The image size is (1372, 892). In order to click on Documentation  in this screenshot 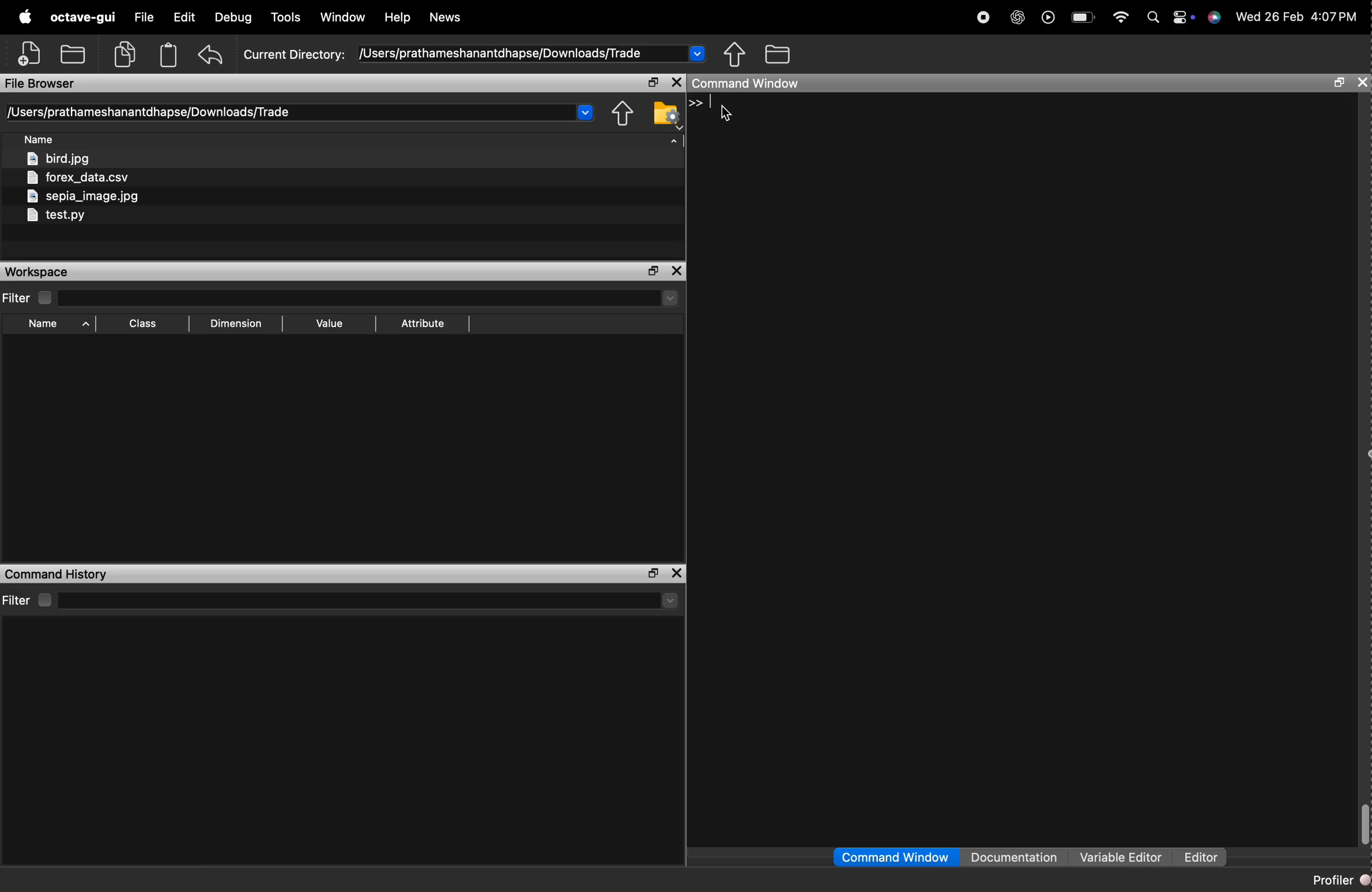, I will do `click(1016, 856)`.